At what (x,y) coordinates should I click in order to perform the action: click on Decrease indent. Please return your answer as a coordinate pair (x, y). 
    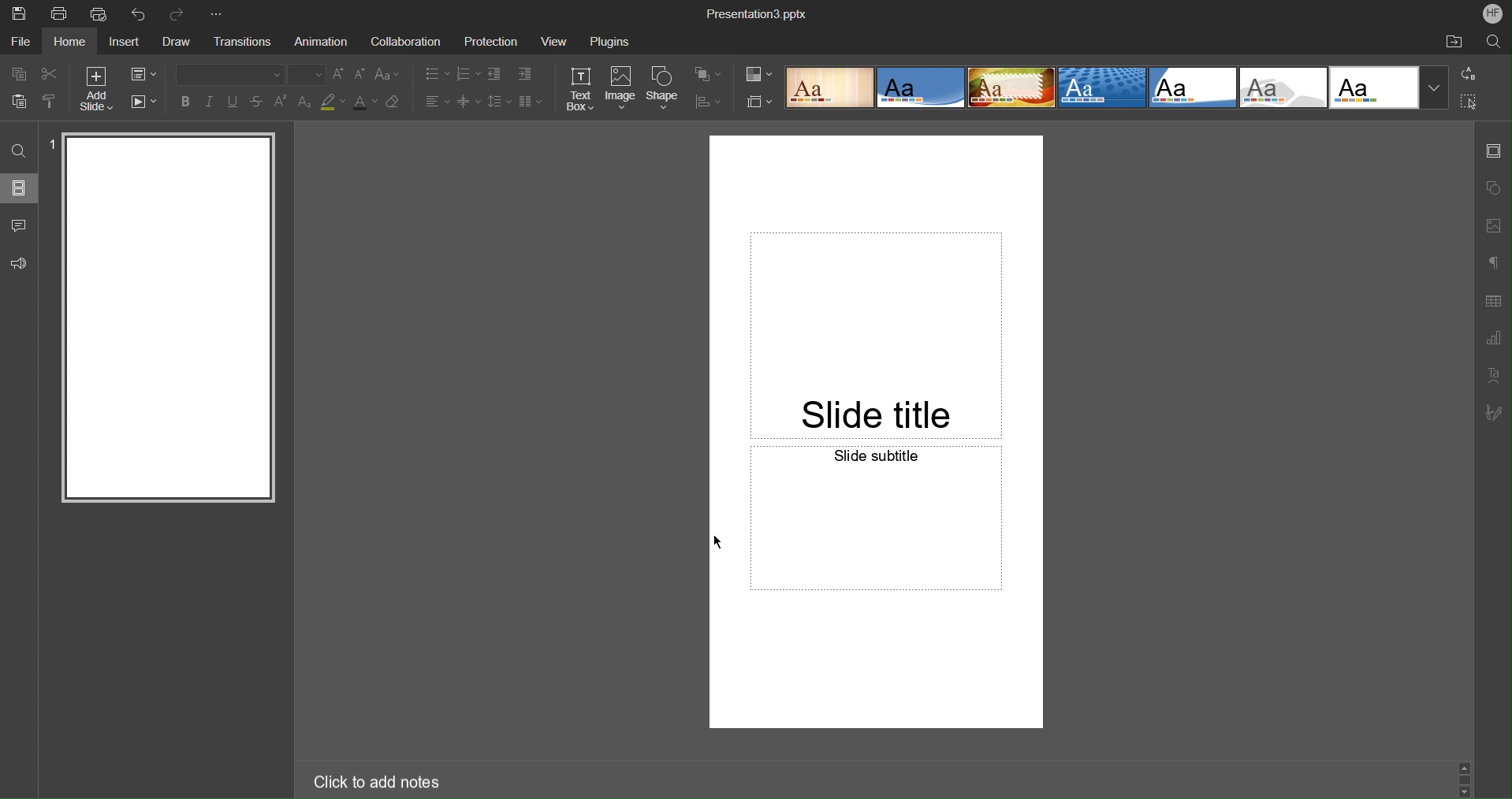
    Looking at the image, I should click on (493, 74).